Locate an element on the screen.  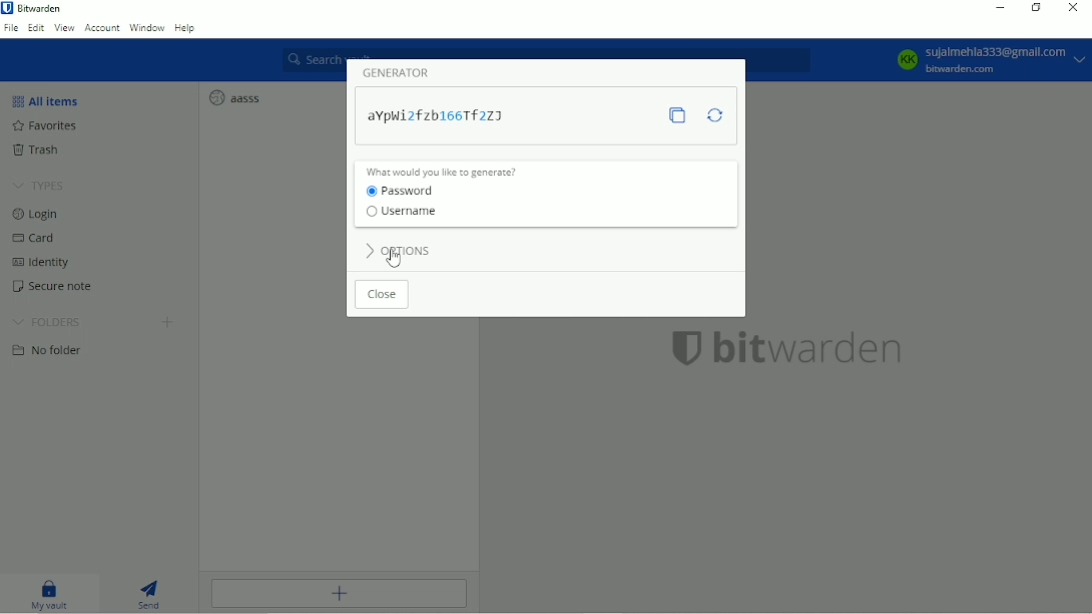
Trash is located at coordinates (37, 150).